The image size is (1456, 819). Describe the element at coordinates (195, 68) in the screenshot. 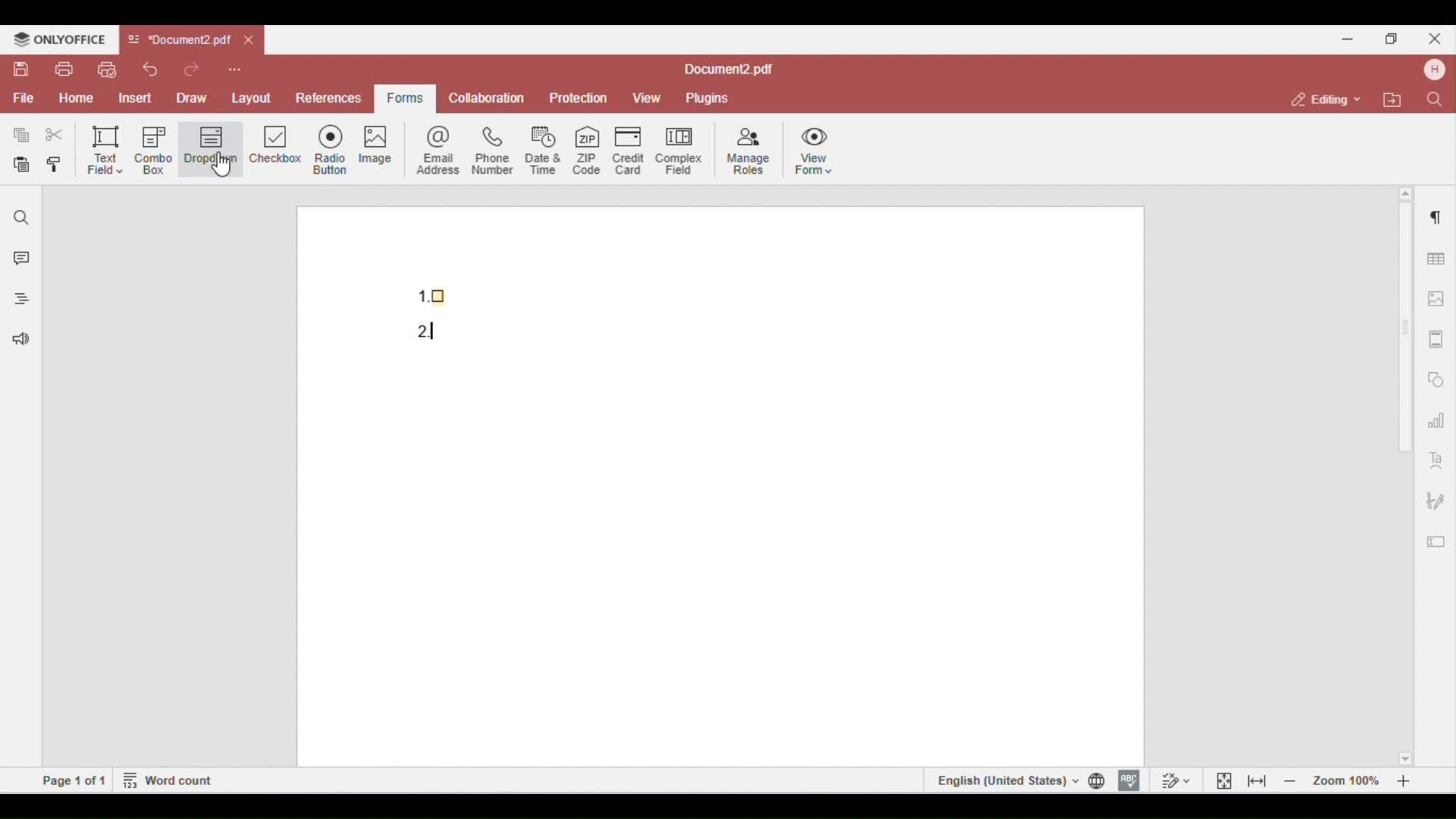

I see `redo` at that location.